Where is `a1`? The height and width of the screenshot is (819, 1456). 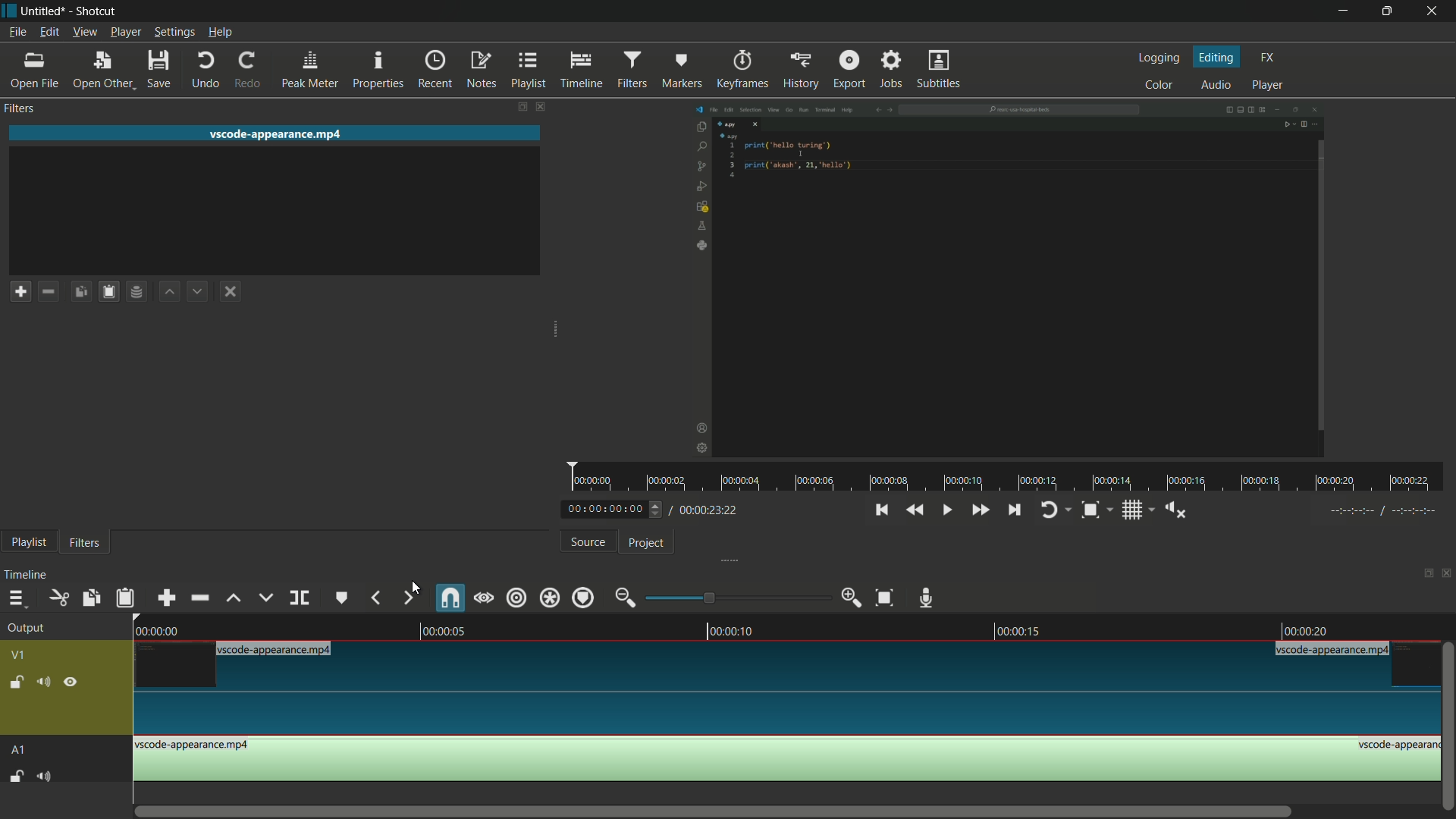
a1 is located at coordinates (19, 751).